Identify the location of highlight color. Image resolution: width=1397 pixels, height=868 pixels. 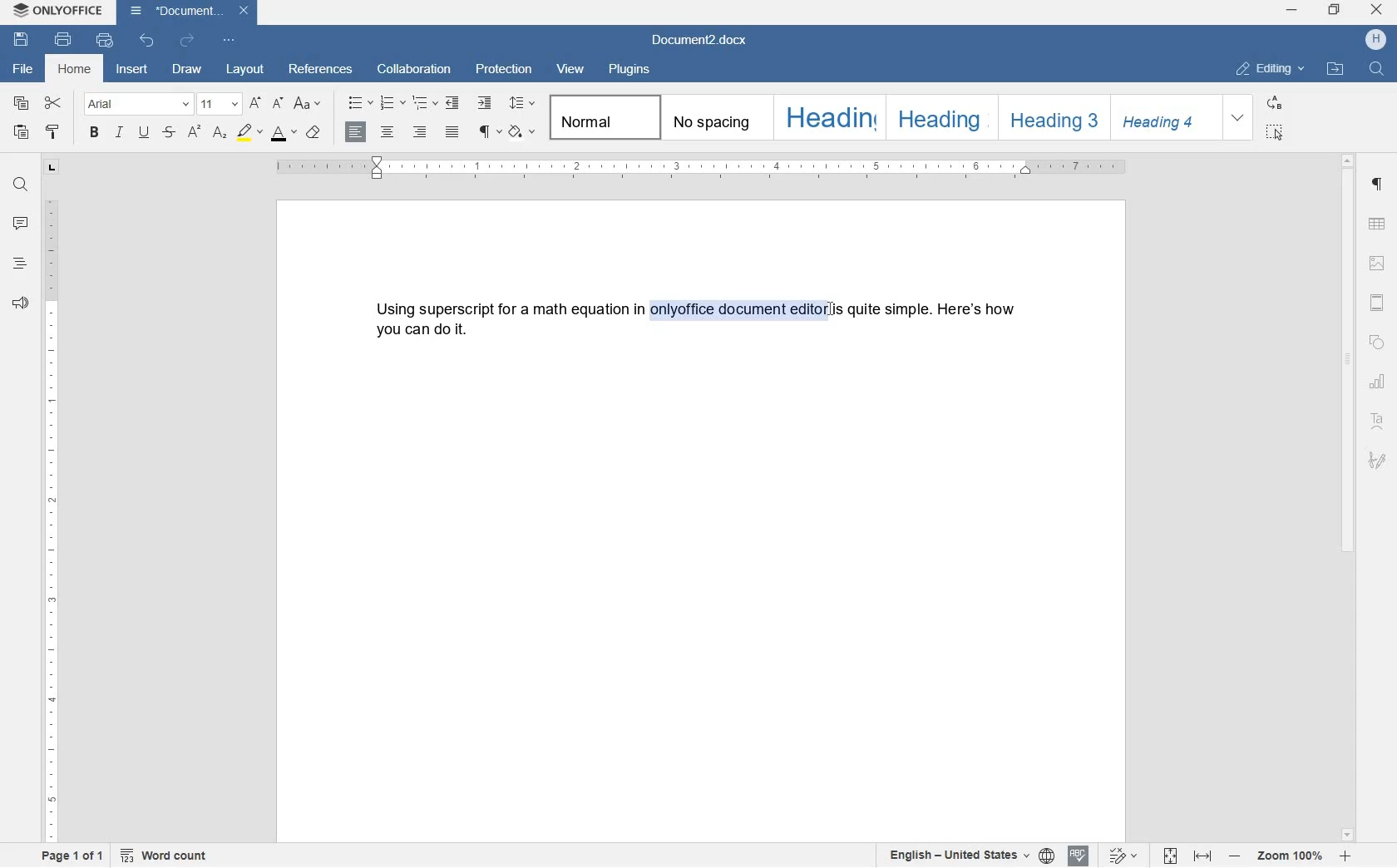
(248, 131).